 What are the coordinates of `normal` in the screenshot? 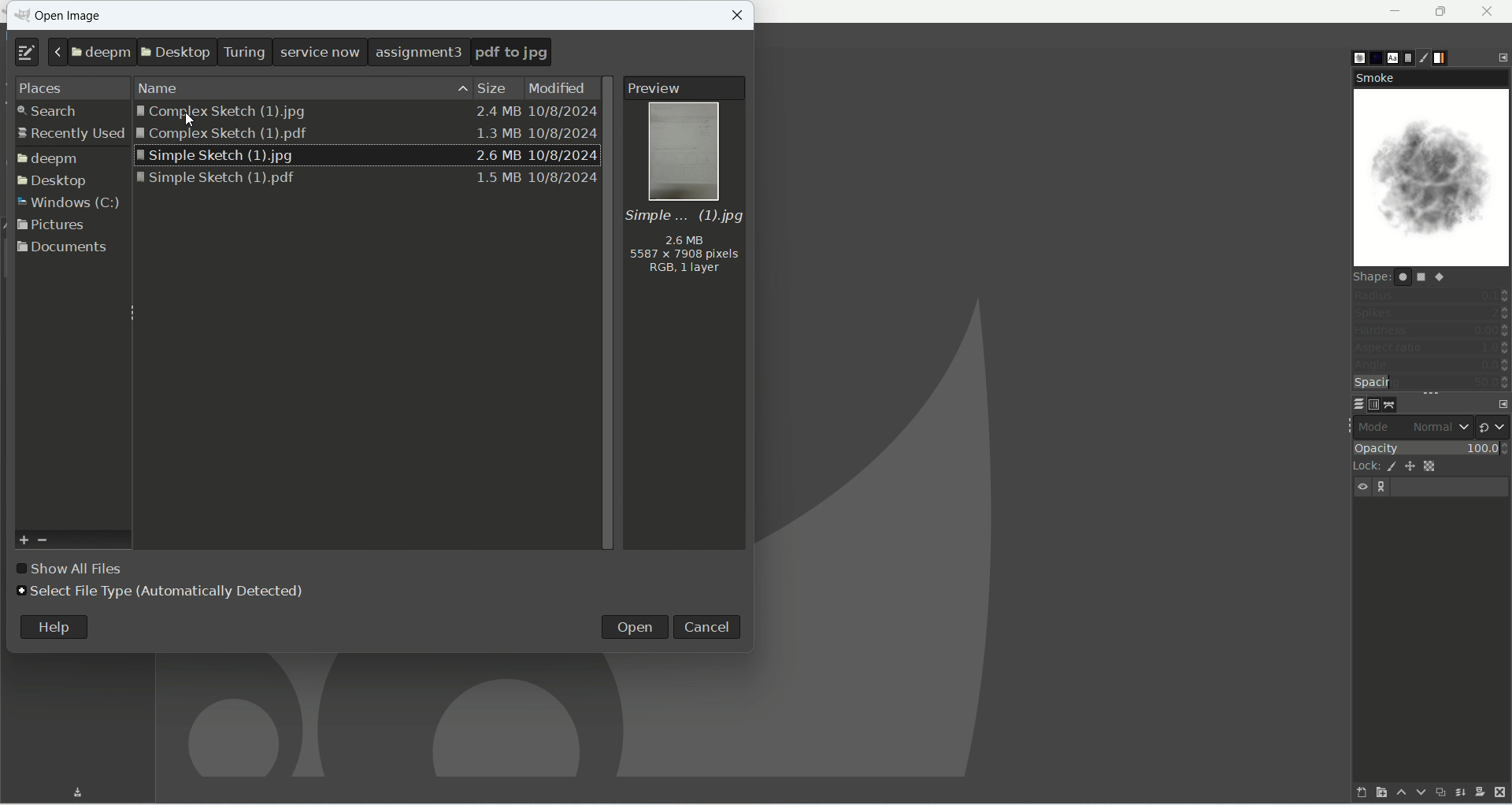 It's located at (1440, 427).